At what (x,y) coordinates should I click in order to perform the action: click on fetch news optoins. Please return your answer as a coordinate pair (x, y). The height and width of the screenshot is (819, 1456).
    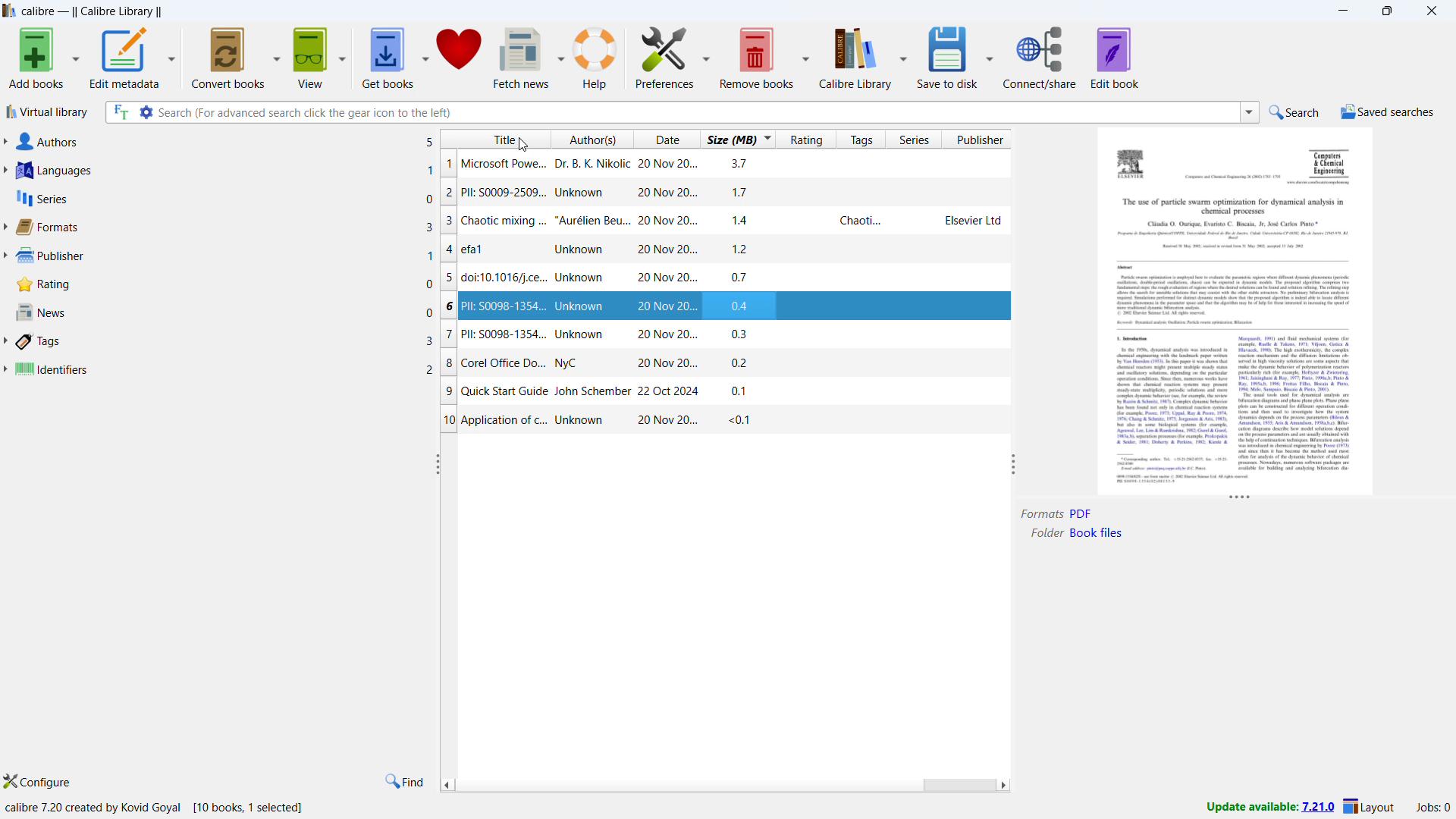
    Looking at the image, I should click on (557, 57).